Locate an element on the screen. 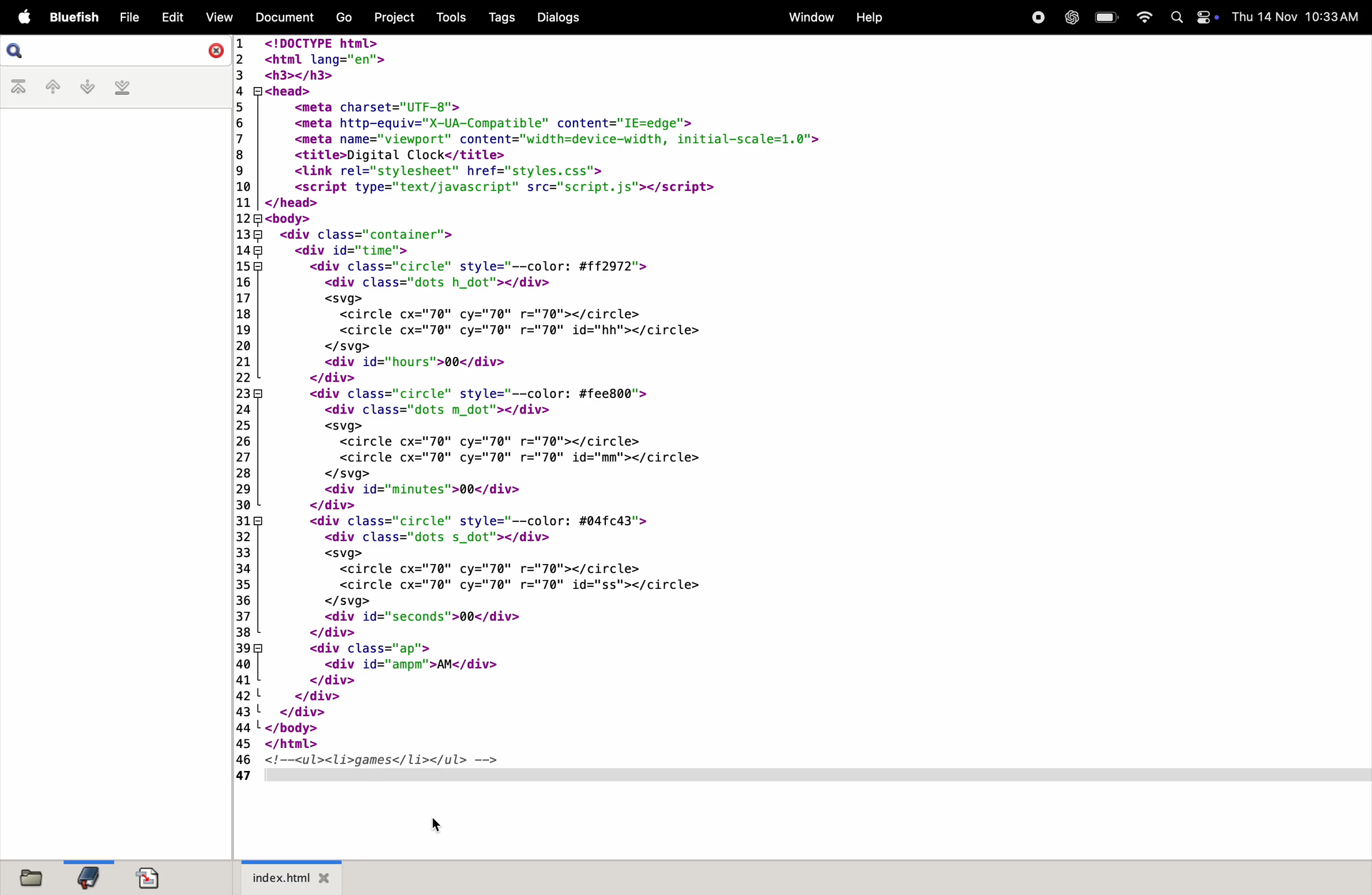 The height and width of the screenshot is (895, 1372). project is located at coordinates (393, 18).